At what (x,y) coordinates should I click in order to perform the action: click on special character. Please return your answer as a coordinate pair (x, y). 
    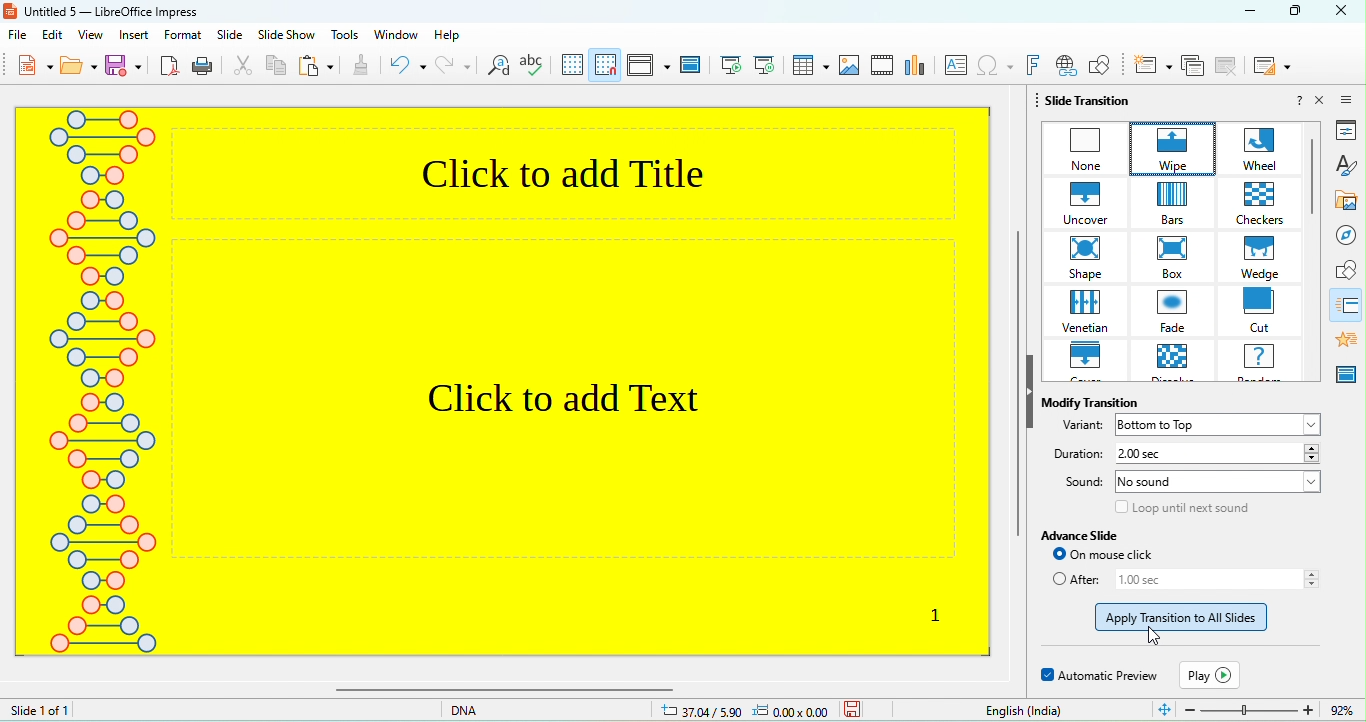
    Looking at the image, I should click on (993, 69).